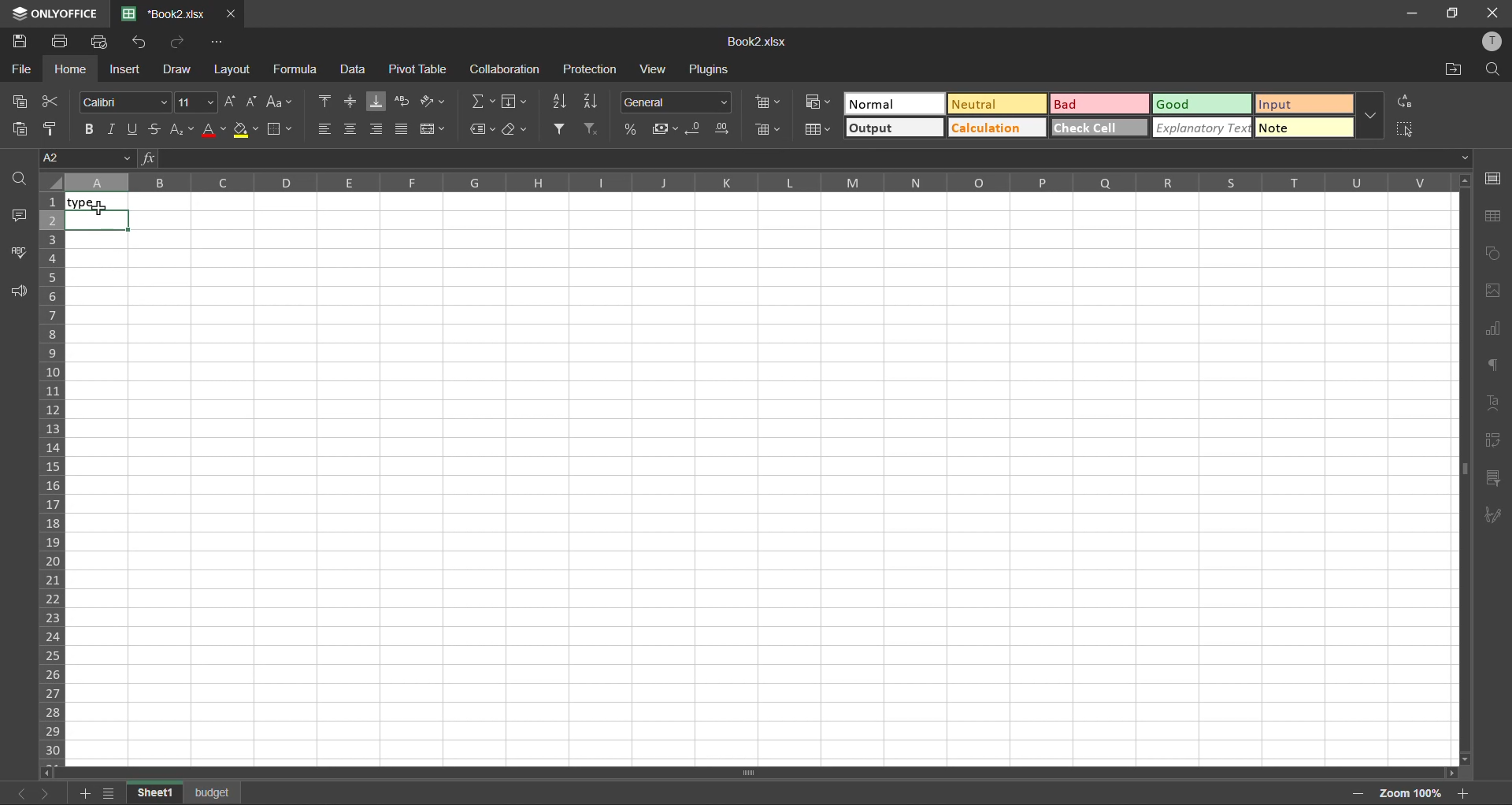 The height and width of the screenshot is (805, 1512). Describe the element at coordinates (282, 102) in the screenshot. I see `change case` at that location.